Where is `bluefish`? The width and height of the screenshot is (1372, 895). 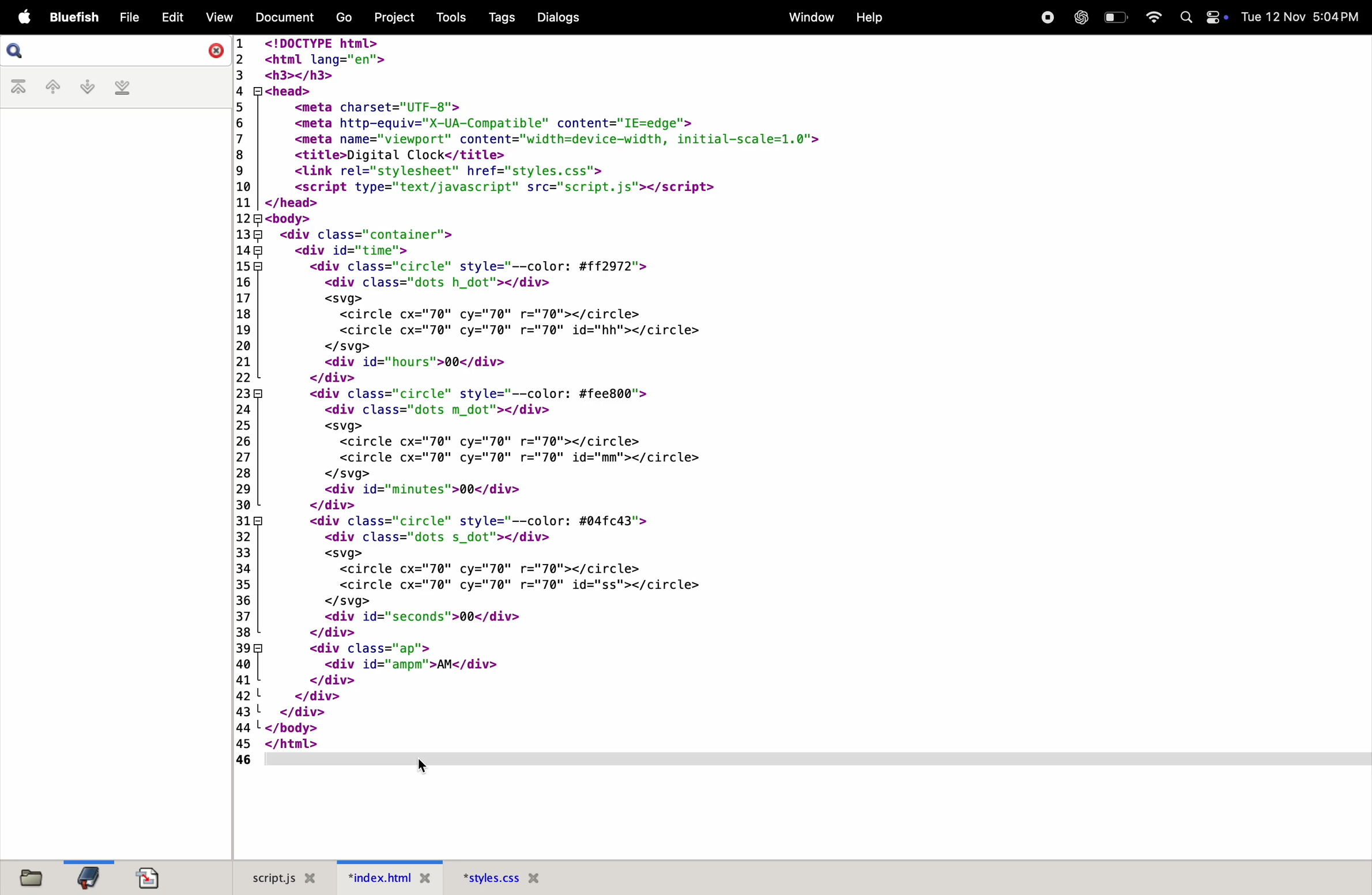 bluefish is located at coordinates (74, 16).